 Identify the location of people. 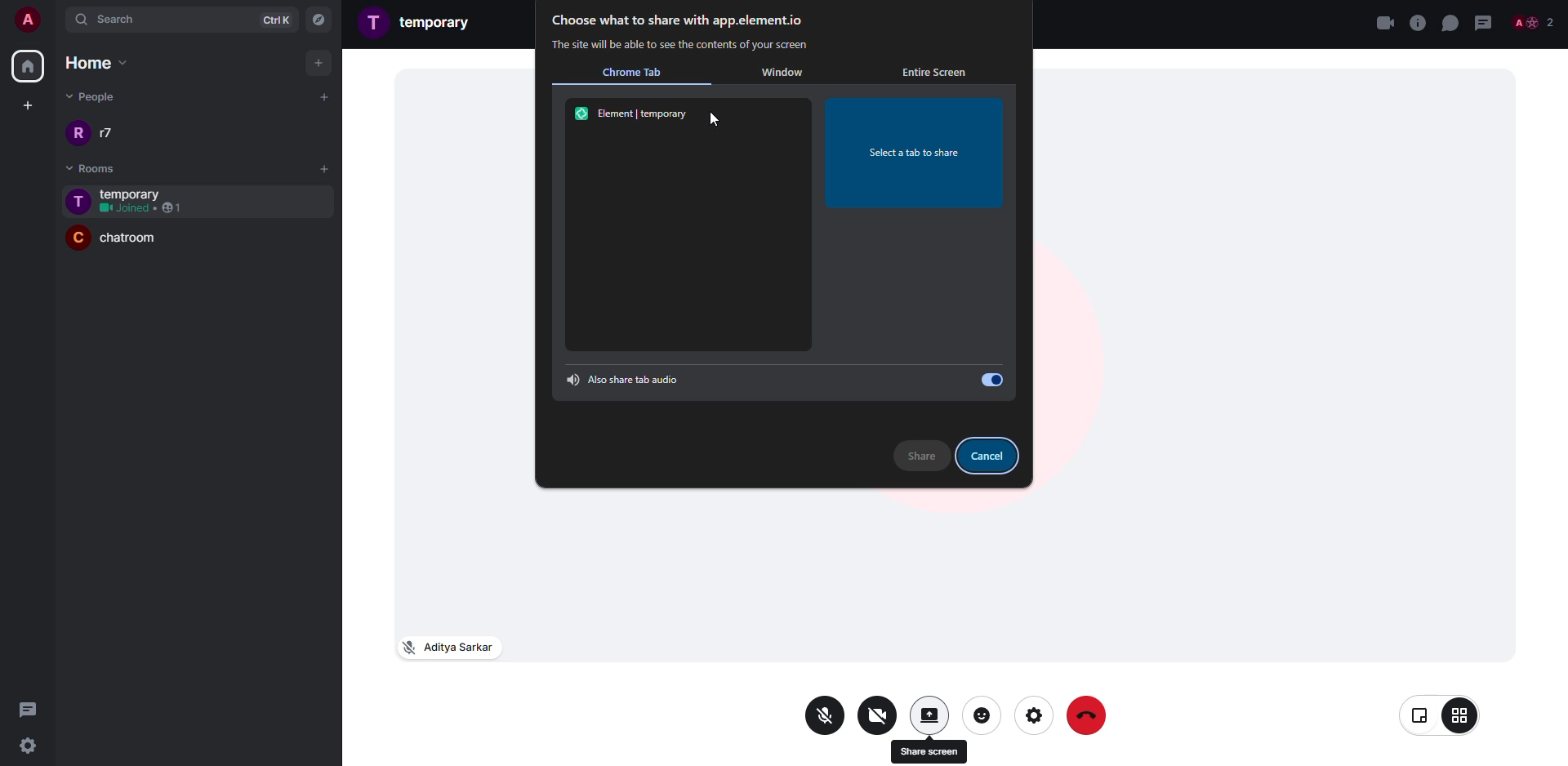
(95, 95).